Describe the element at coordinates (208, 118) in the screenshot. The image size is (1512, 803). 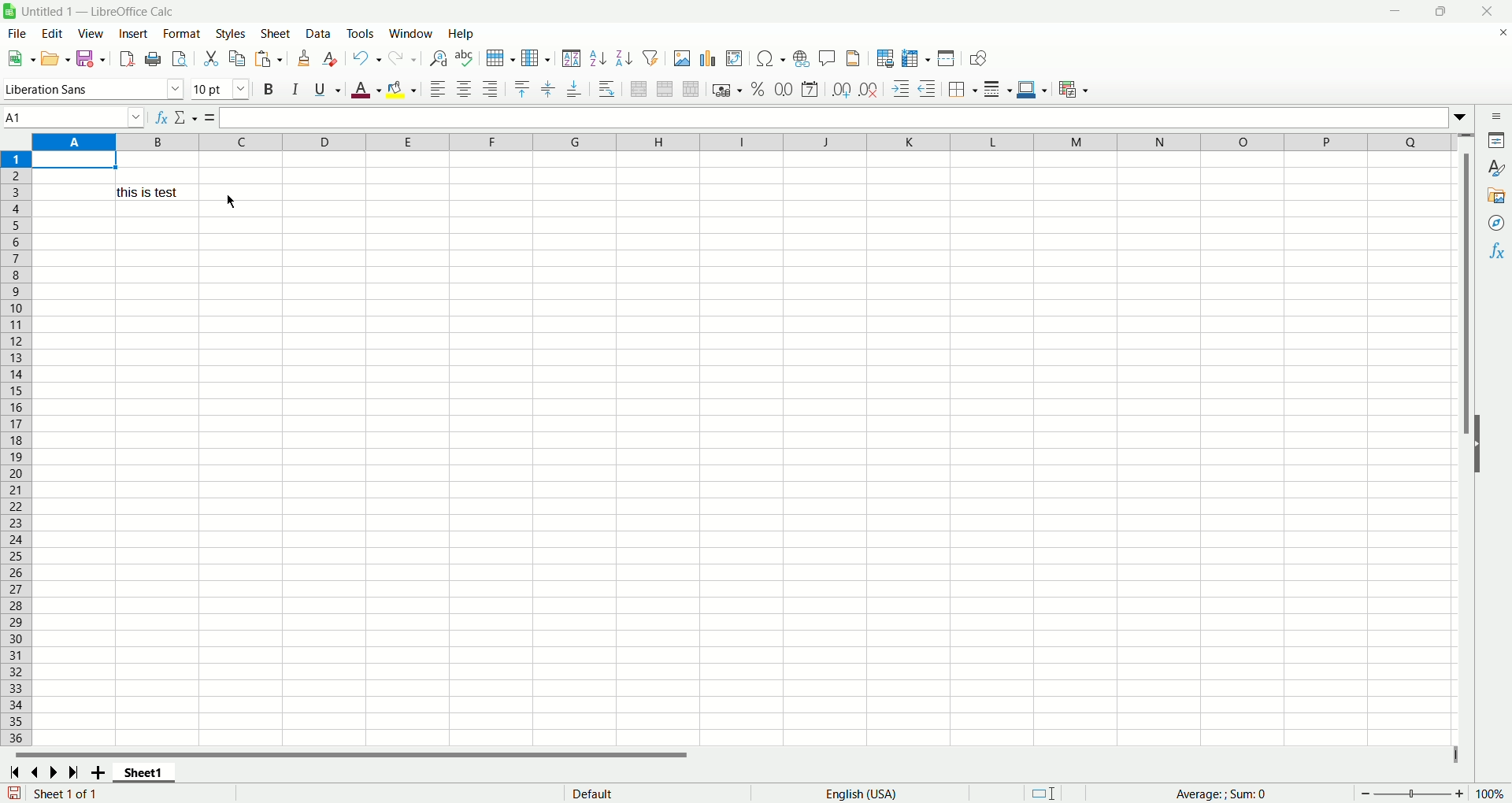
I see `formula` at that location.